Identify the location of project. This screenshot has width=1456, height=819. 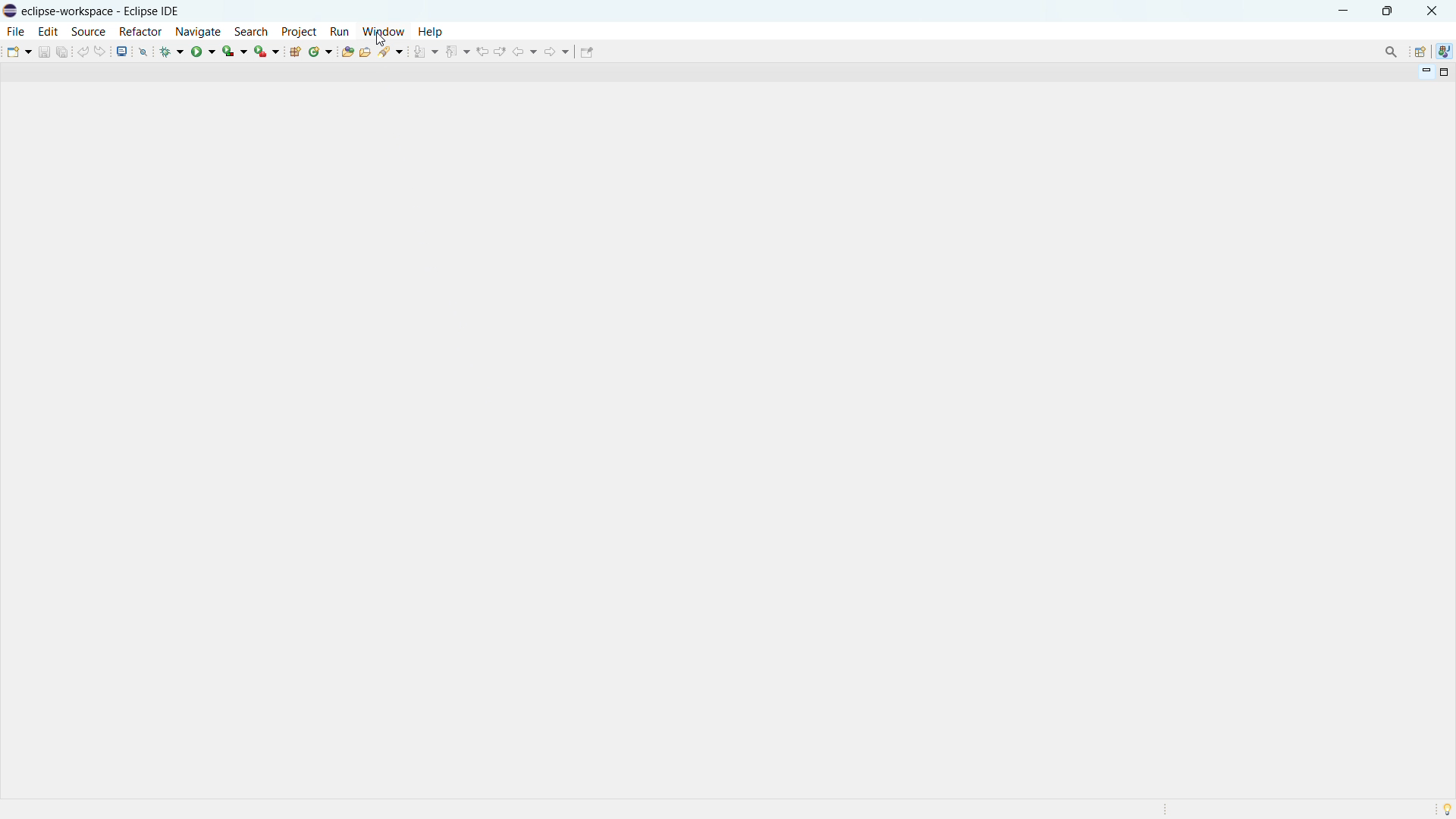
(300, 31).